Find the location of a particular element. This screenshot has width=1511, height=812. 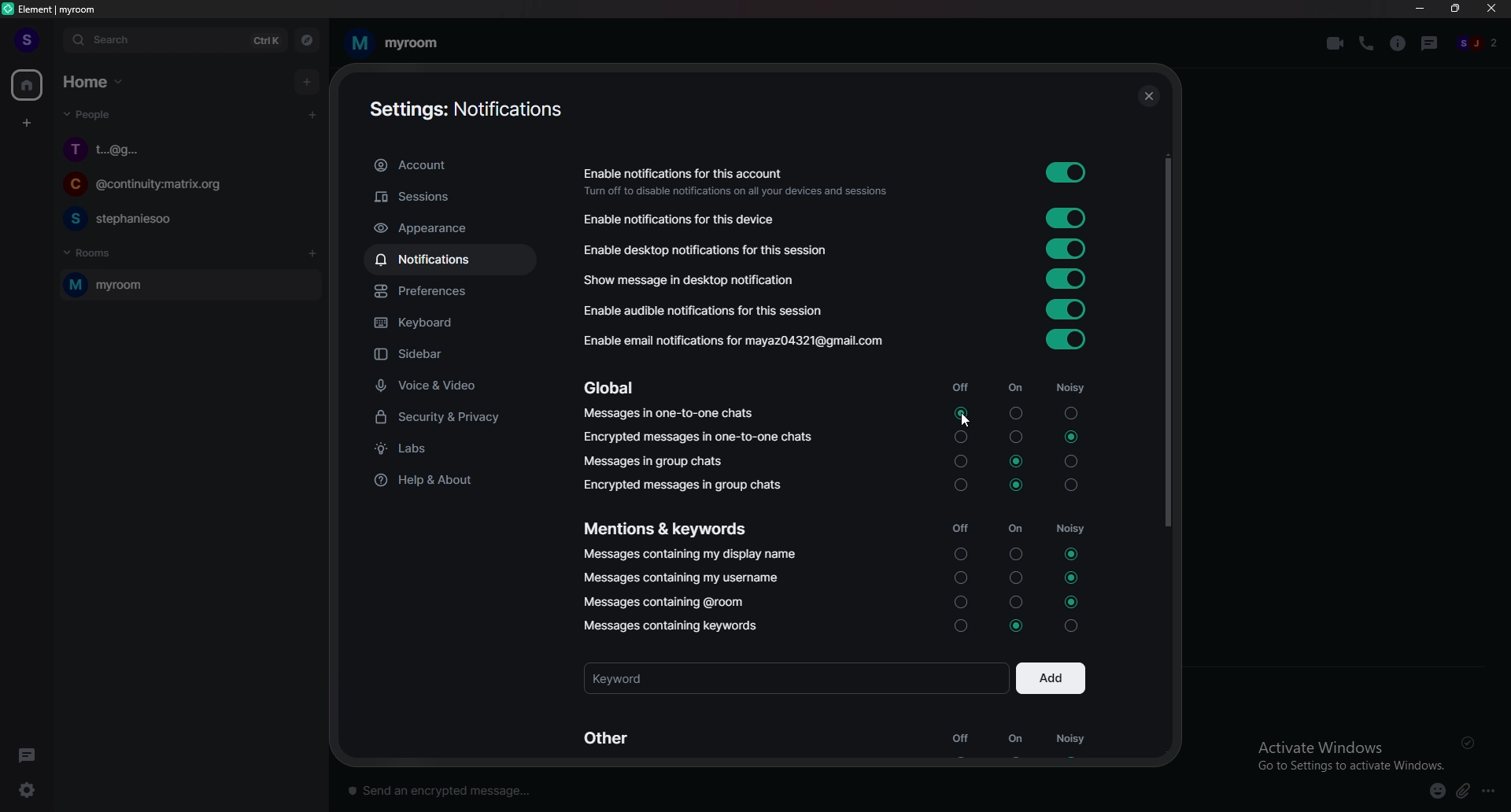

thread is located at coordinates (28, 753).